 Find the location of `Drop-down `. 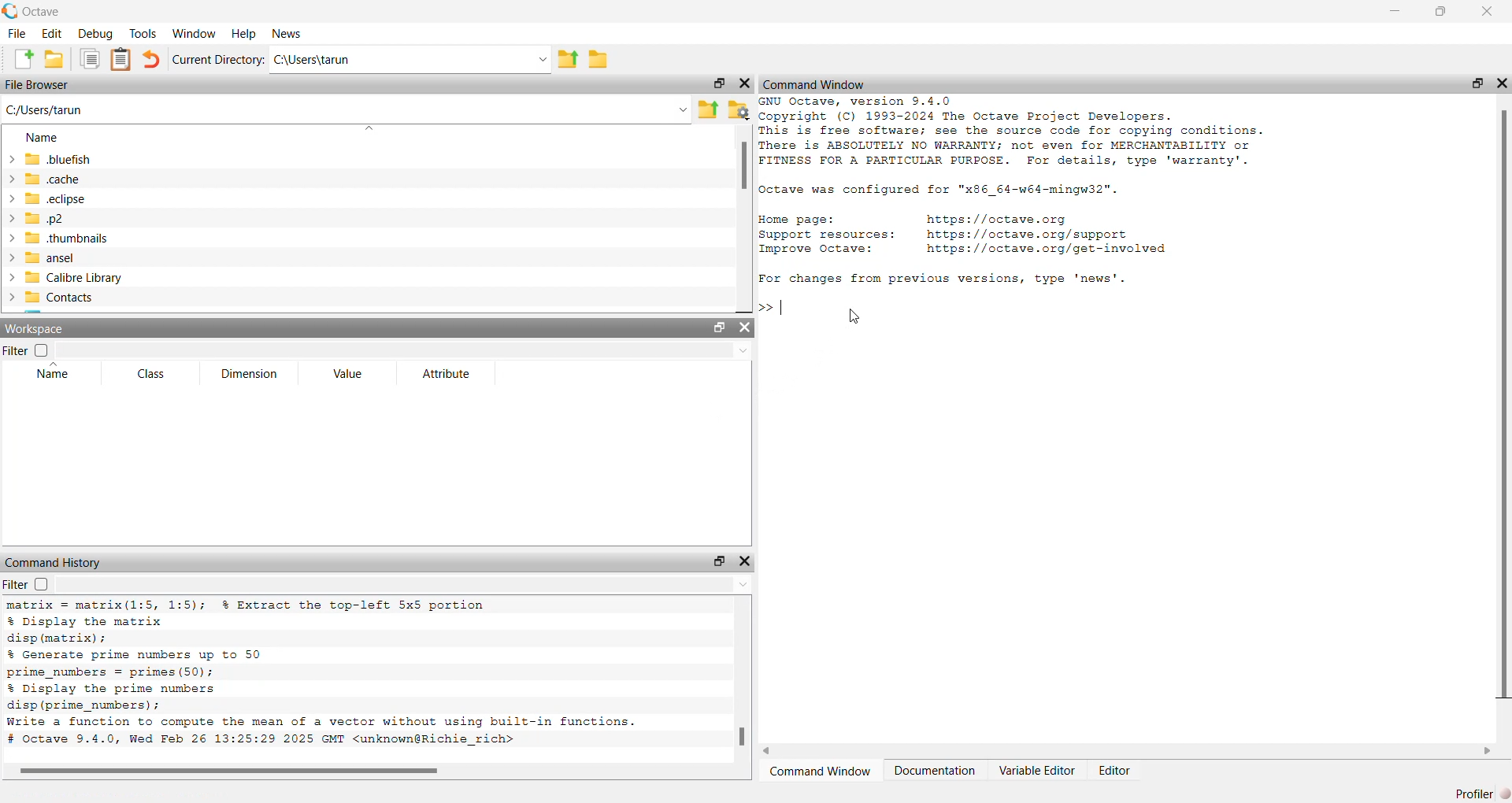

Drop-down  is located at coordinates (744, 352).